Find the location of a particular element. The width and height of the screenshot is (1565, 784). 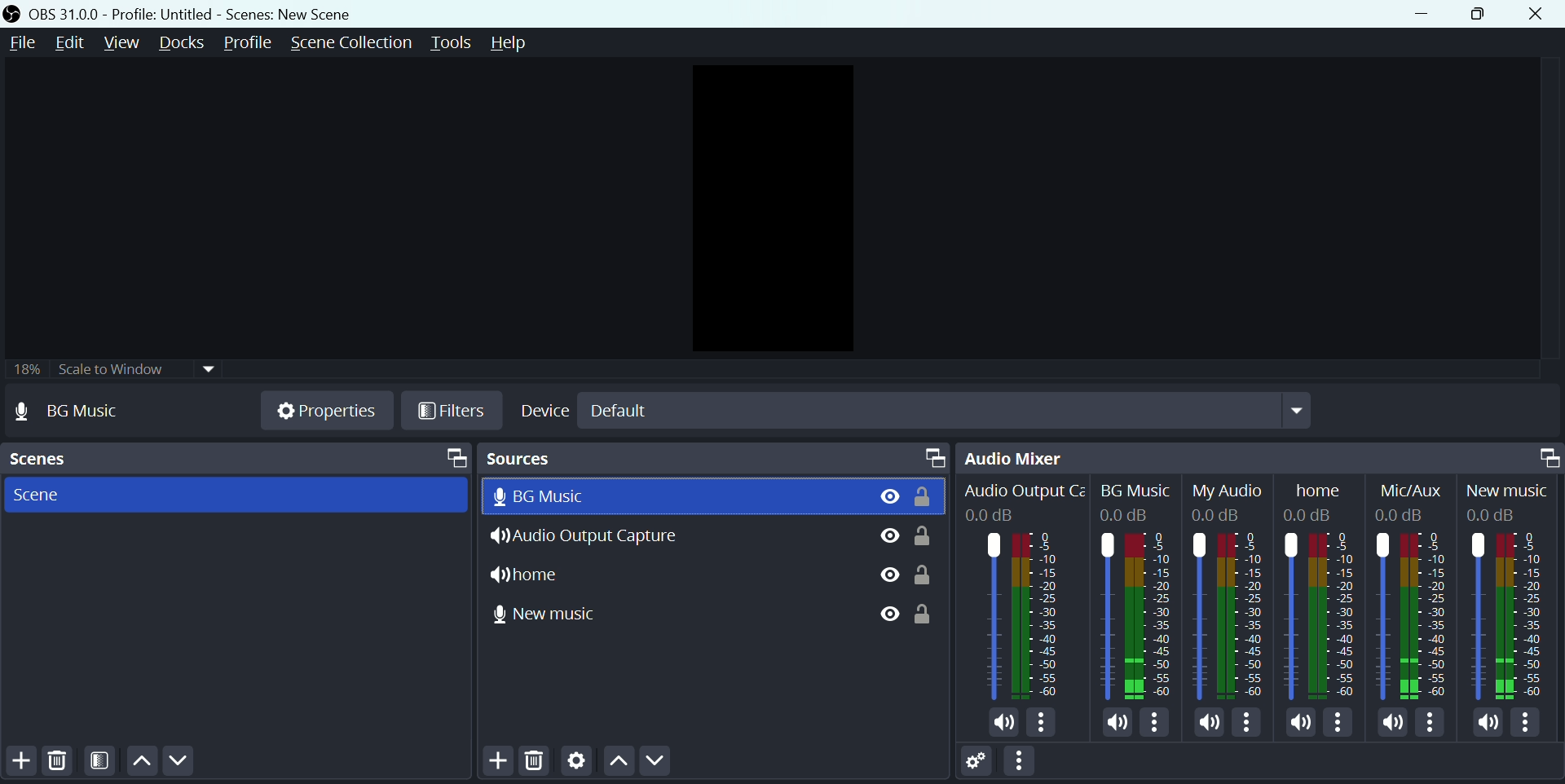

Mute /Unmute is located at coordinates (1482, 723).